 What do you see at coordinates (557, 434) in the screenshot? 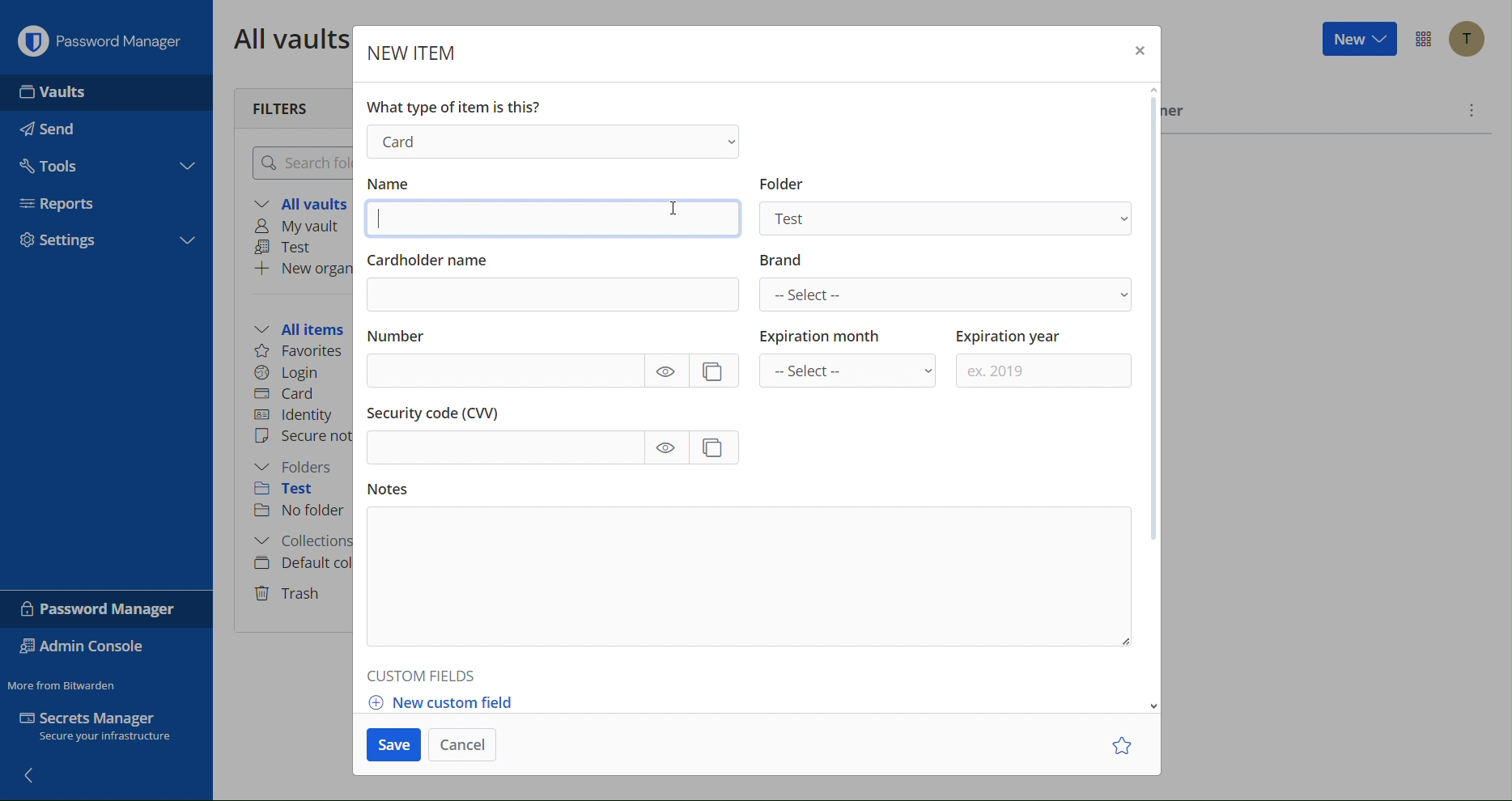
I see `Security Code` at bounding box center [557, 434].